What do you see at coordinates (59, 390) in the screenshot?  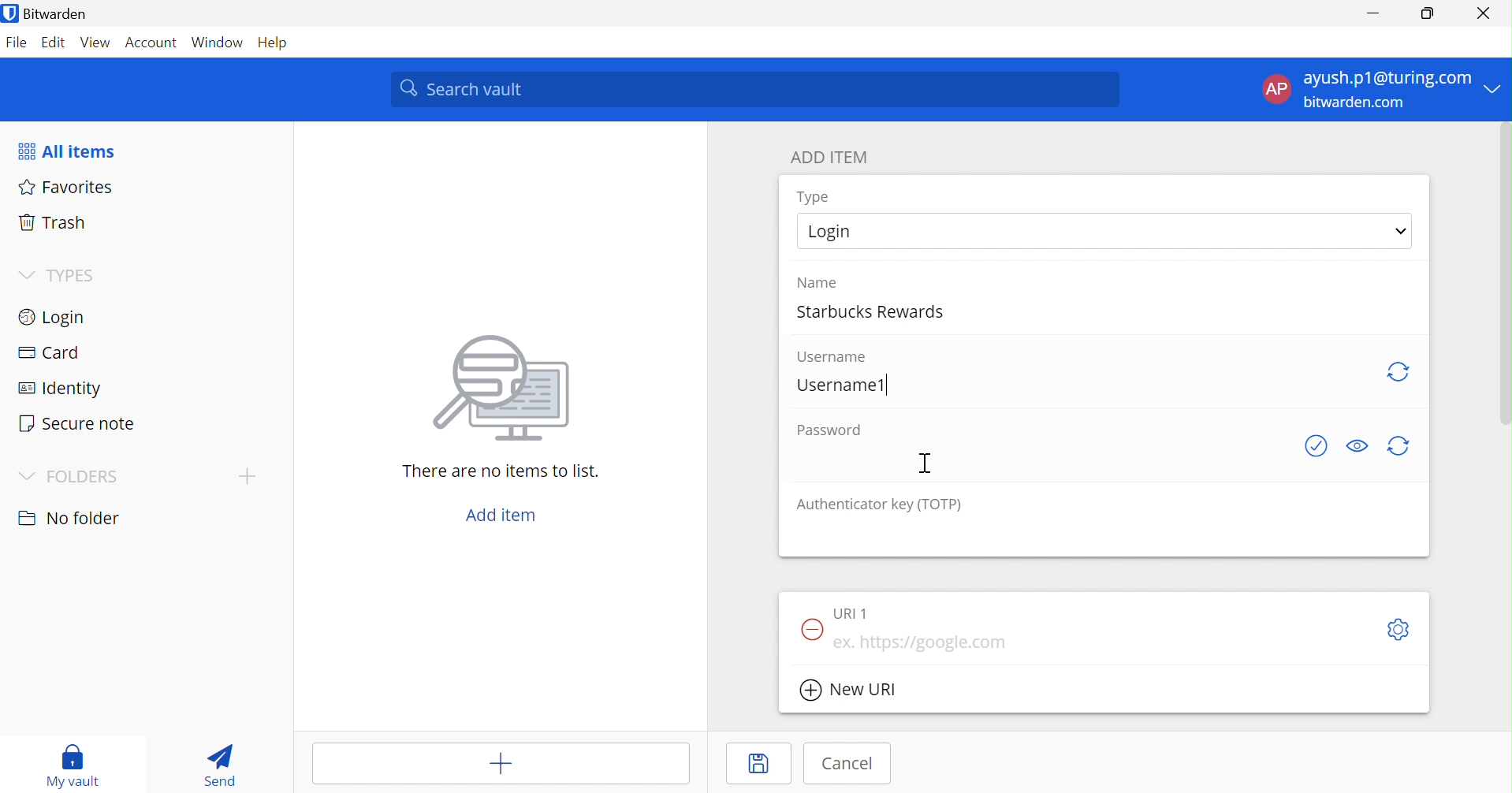 I see `Identify` at bounding box center [59, 390].